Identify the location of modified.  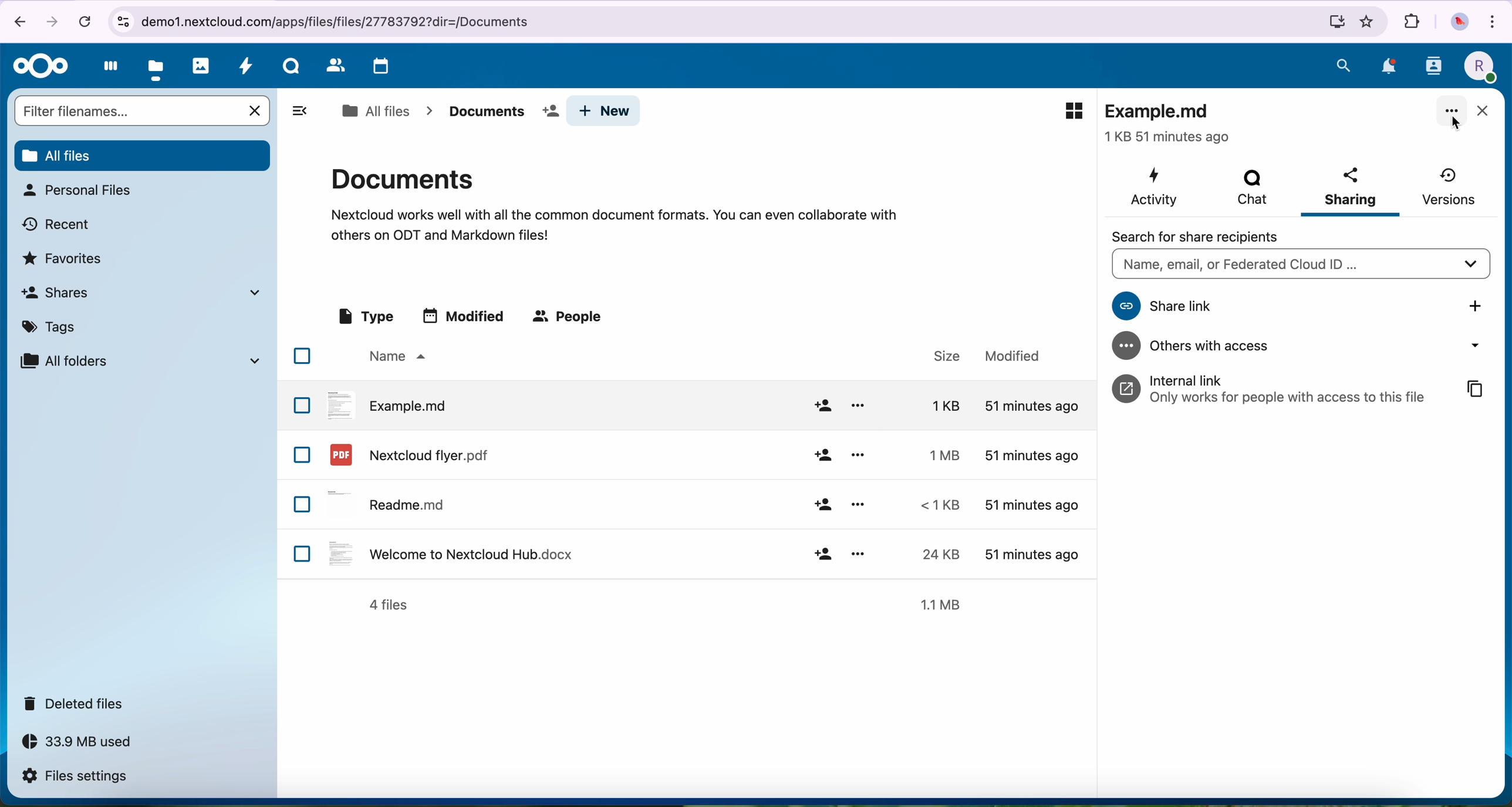
(1013, 356).